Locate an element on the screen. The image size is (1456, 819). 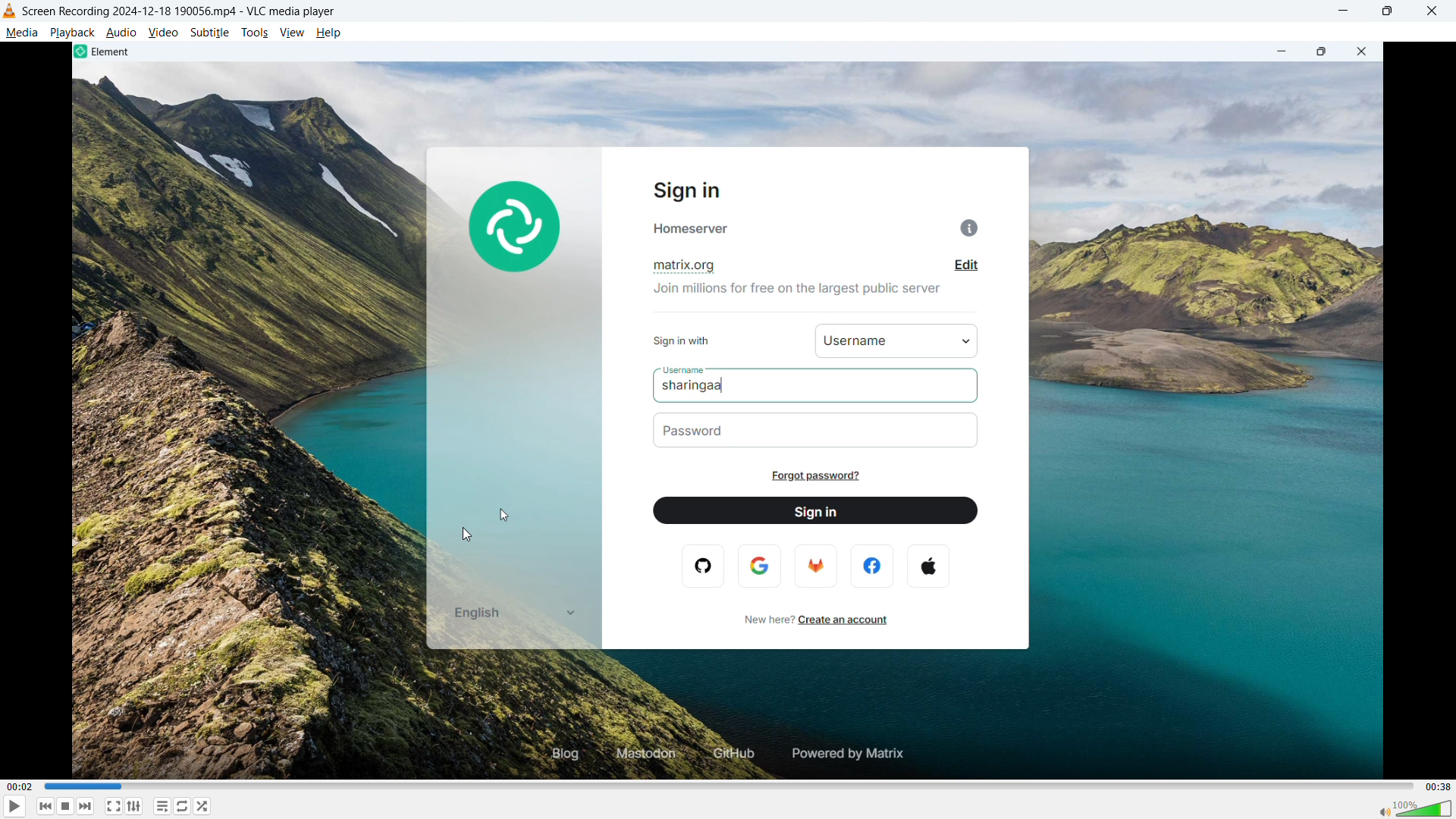
New here? is located at coordinates (759, 620).